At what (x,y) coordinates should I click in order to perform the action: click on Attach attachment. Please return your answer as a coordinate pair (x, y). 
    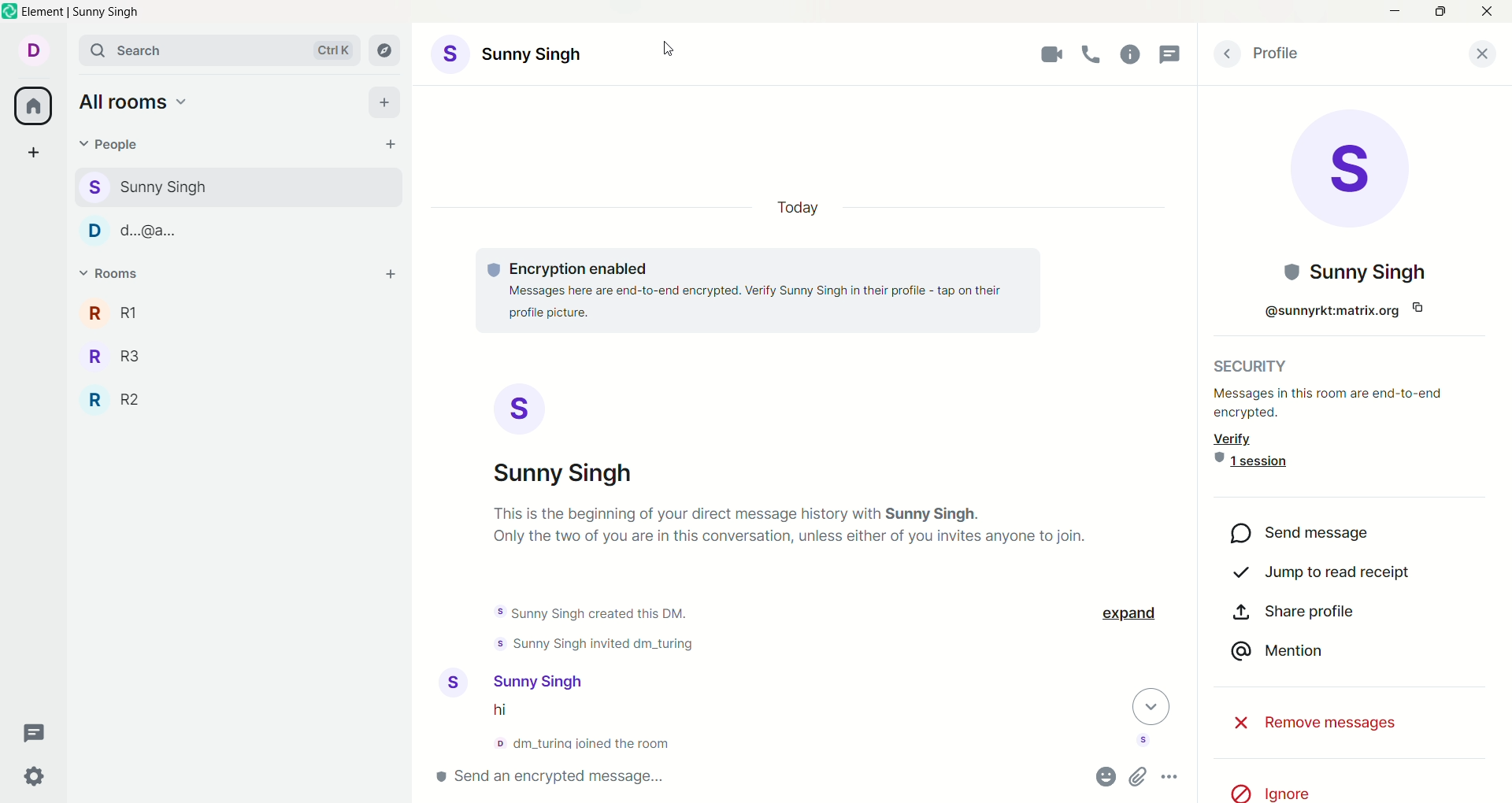
    Looking at the image, I should click on (1139, 778).